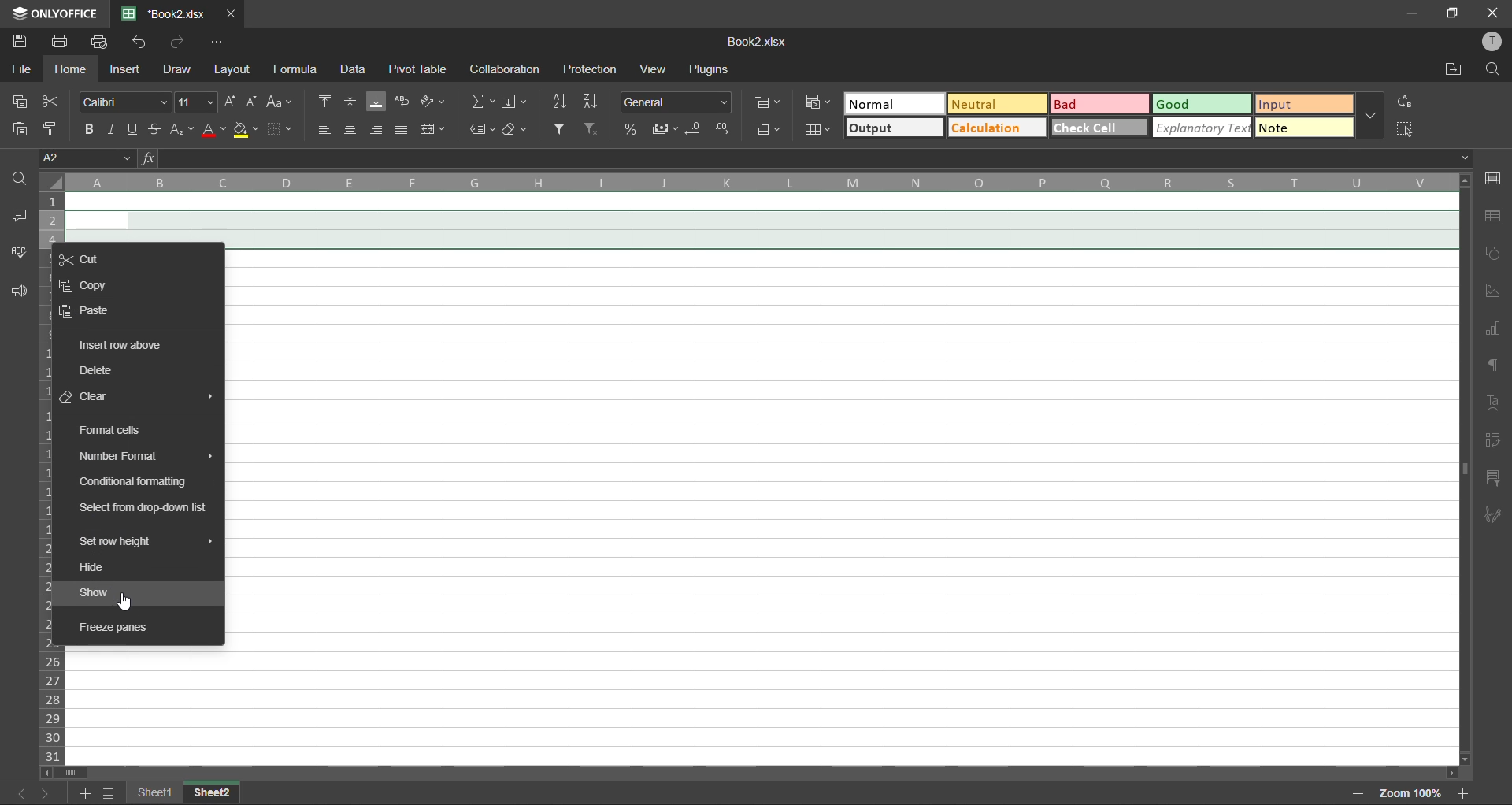  I want to click on bold, so click(90, 128).